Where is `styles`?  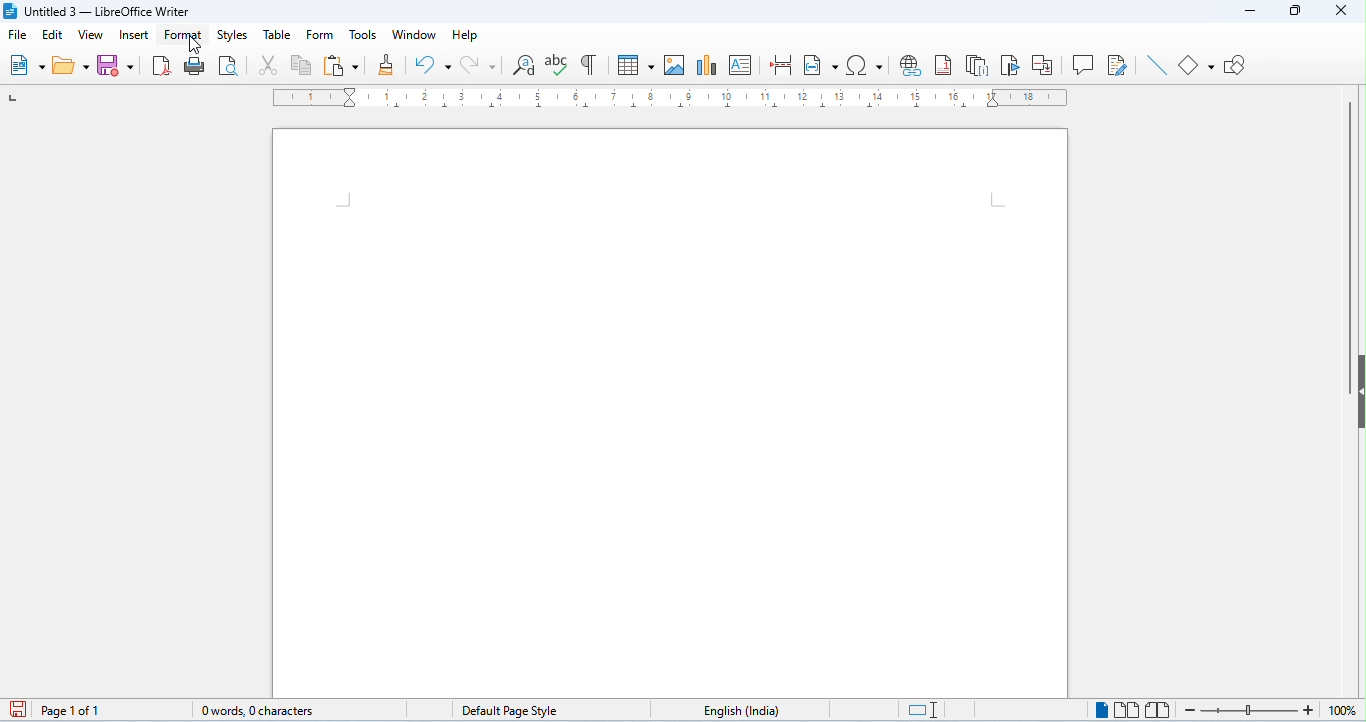 styles is located at coordinates (232, 35).